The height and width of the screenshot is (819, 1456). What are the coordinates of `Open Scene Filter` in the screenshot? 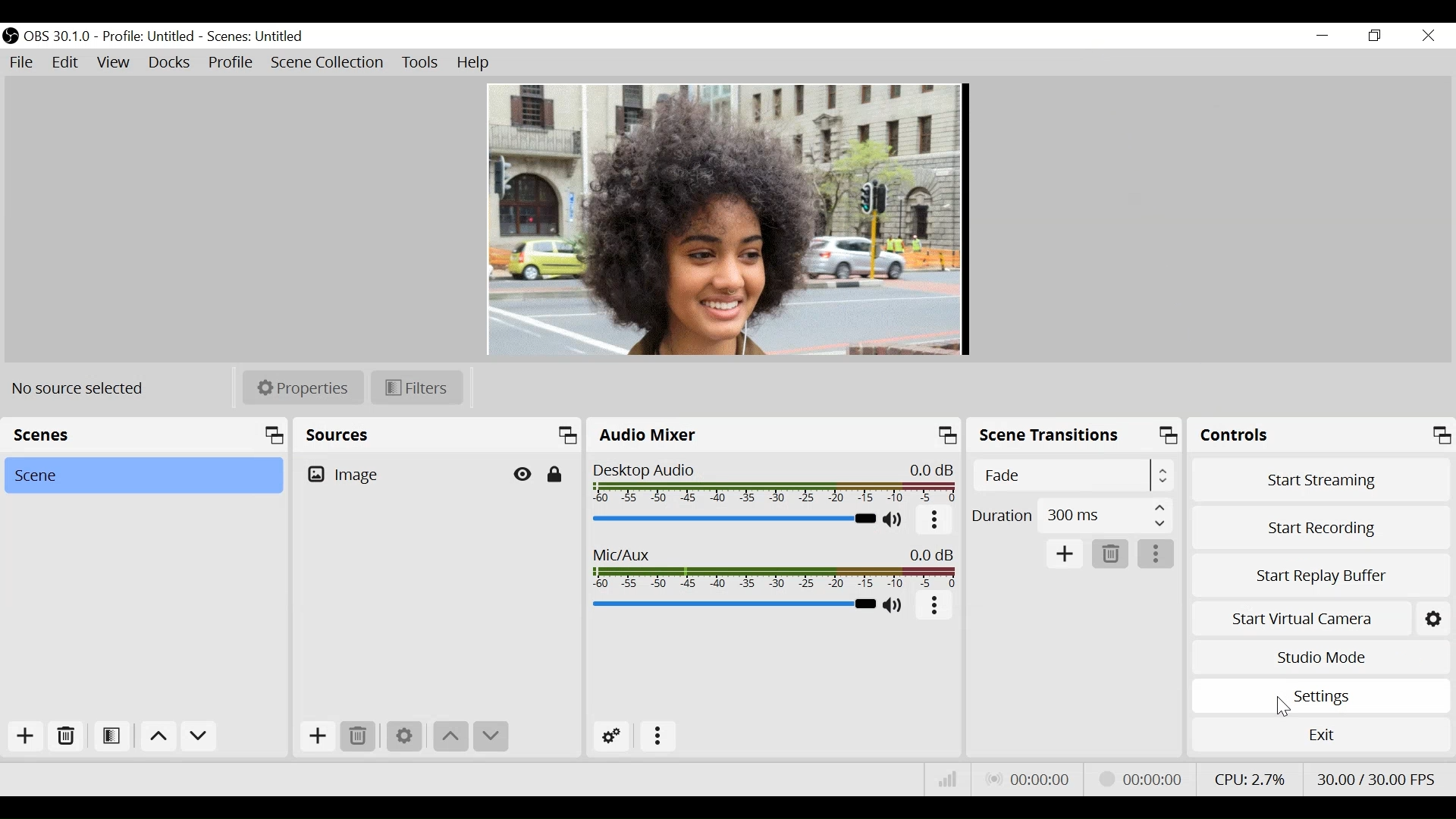 It's located at (111, 737).